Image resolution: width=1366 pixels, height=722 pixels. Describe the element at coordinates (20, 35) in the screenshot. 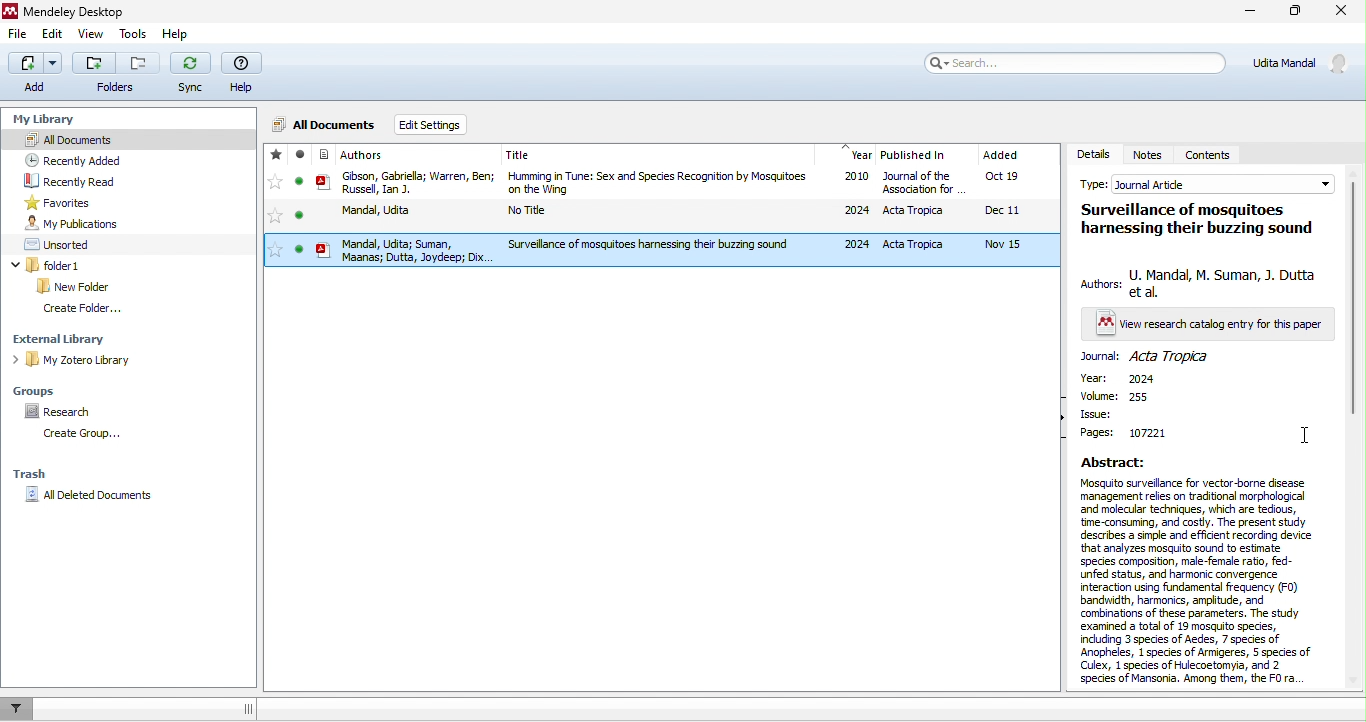

I see `file` at that location.